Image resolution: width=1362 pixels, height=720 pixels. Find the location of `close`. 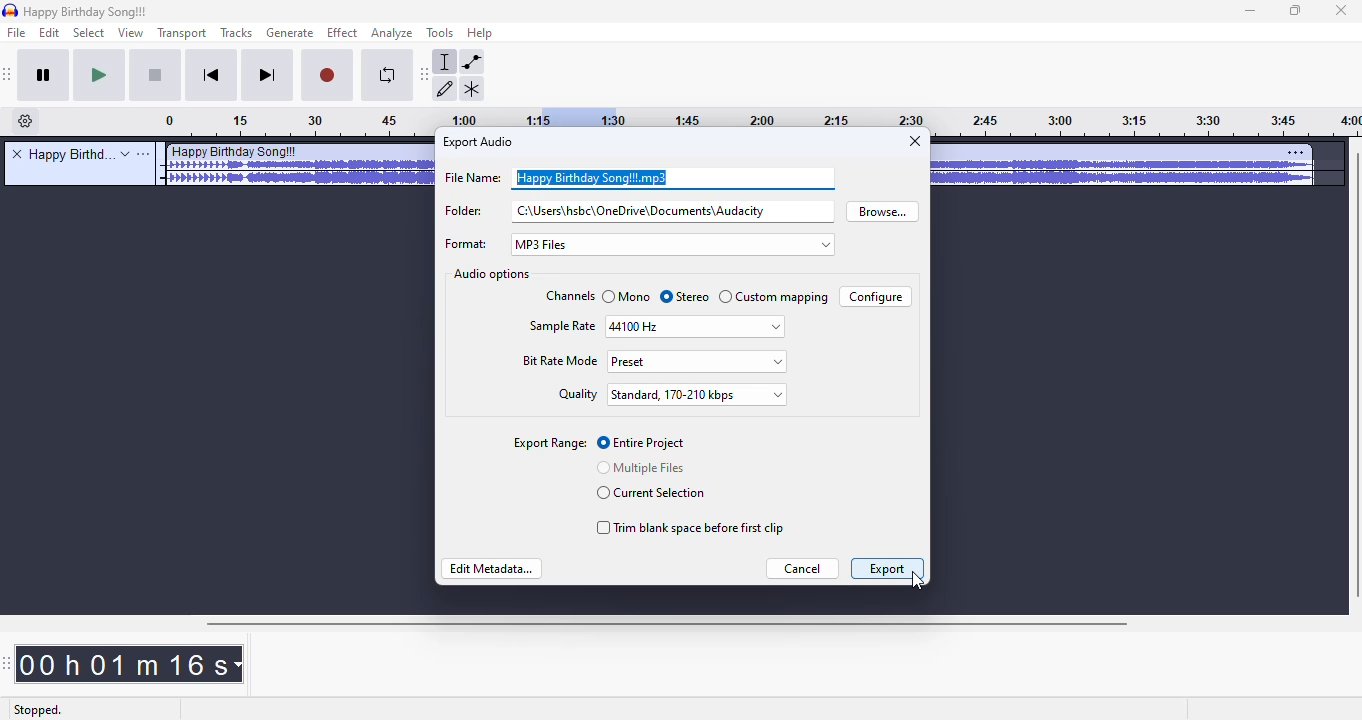

close is located at coordinates (915, 140).